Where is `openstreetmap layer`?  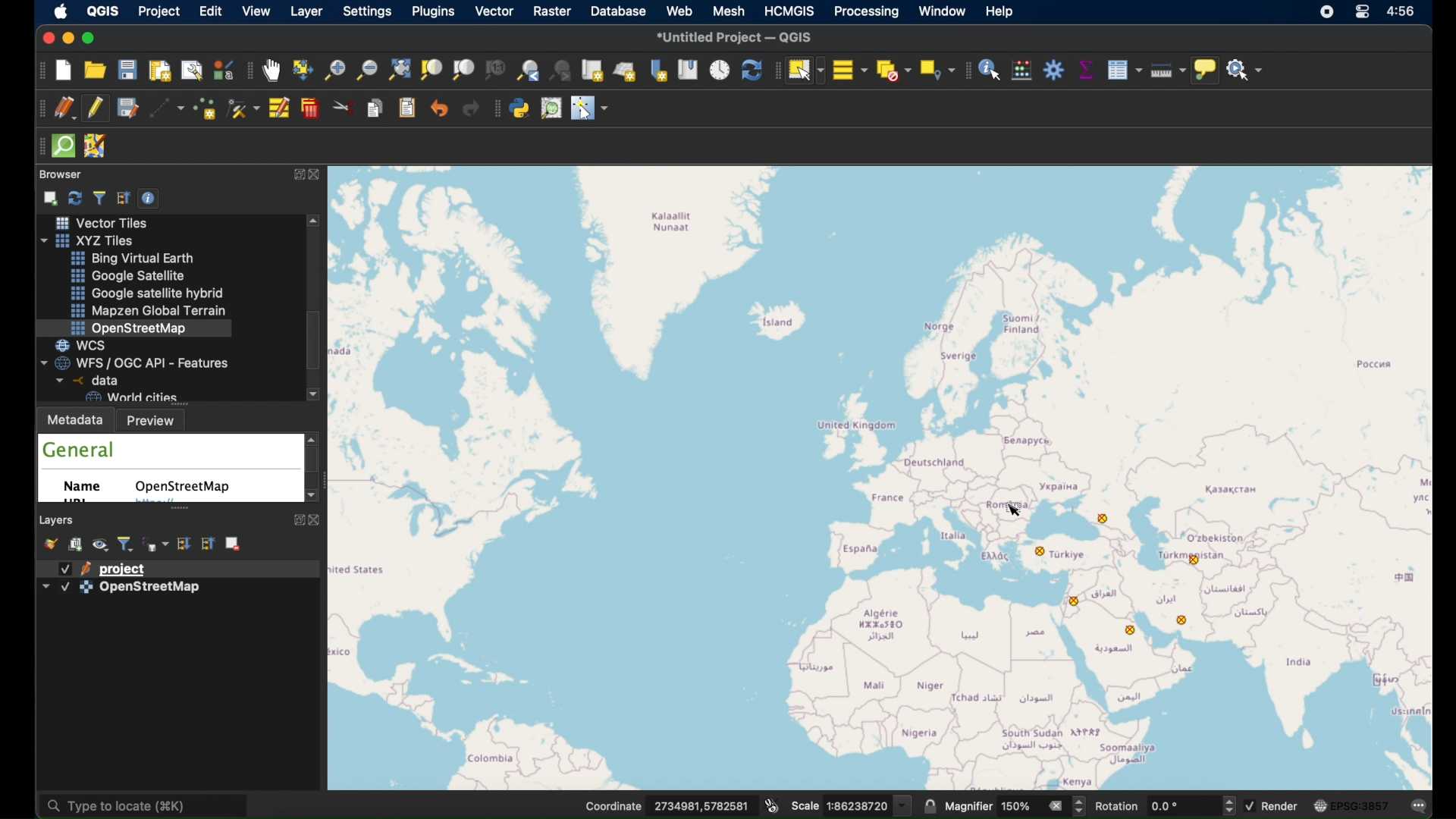
openstreetmap layer is located at coordinates (151, 590).